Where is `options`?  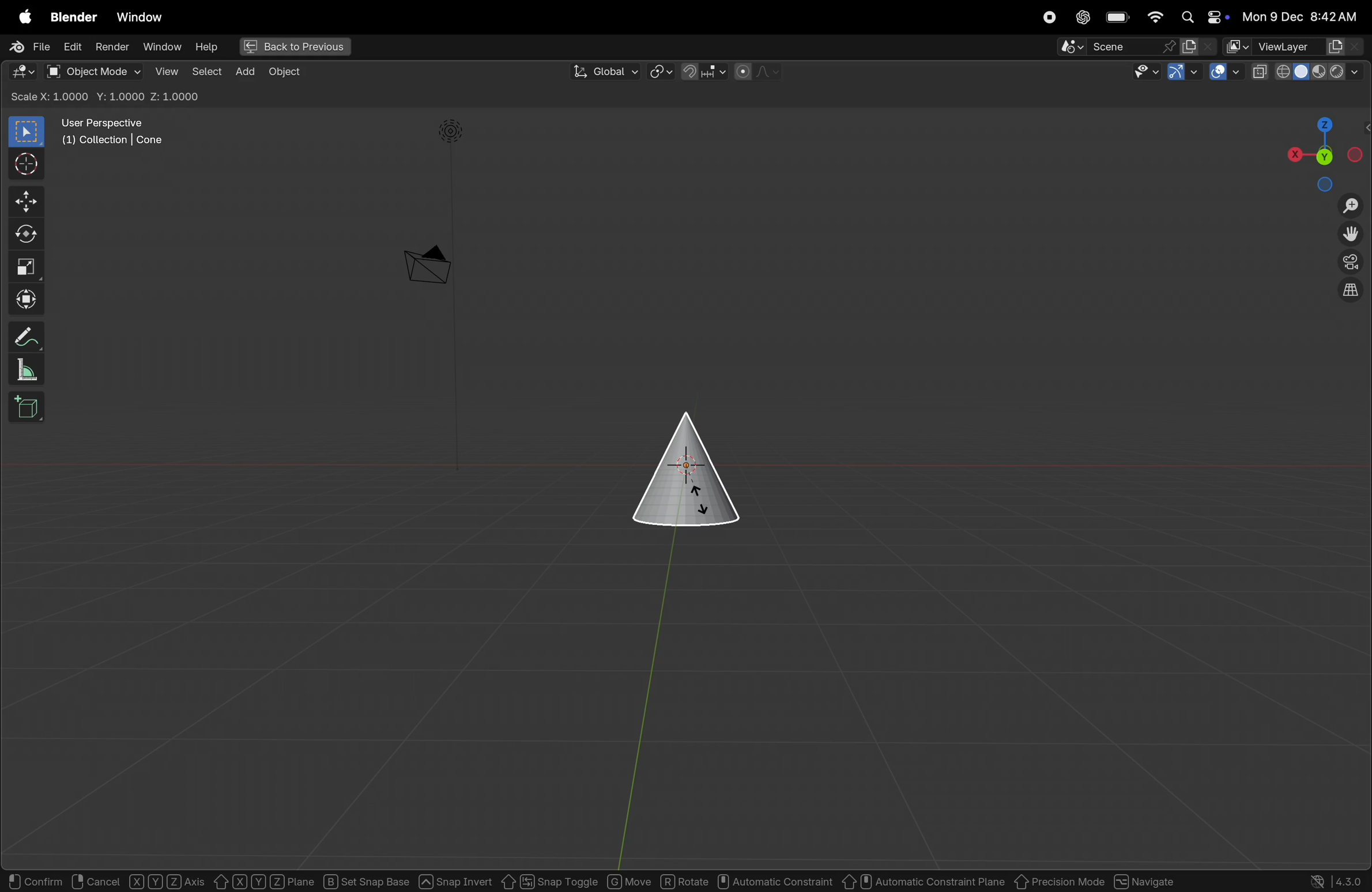
options is located at coordinates (1336, 96).